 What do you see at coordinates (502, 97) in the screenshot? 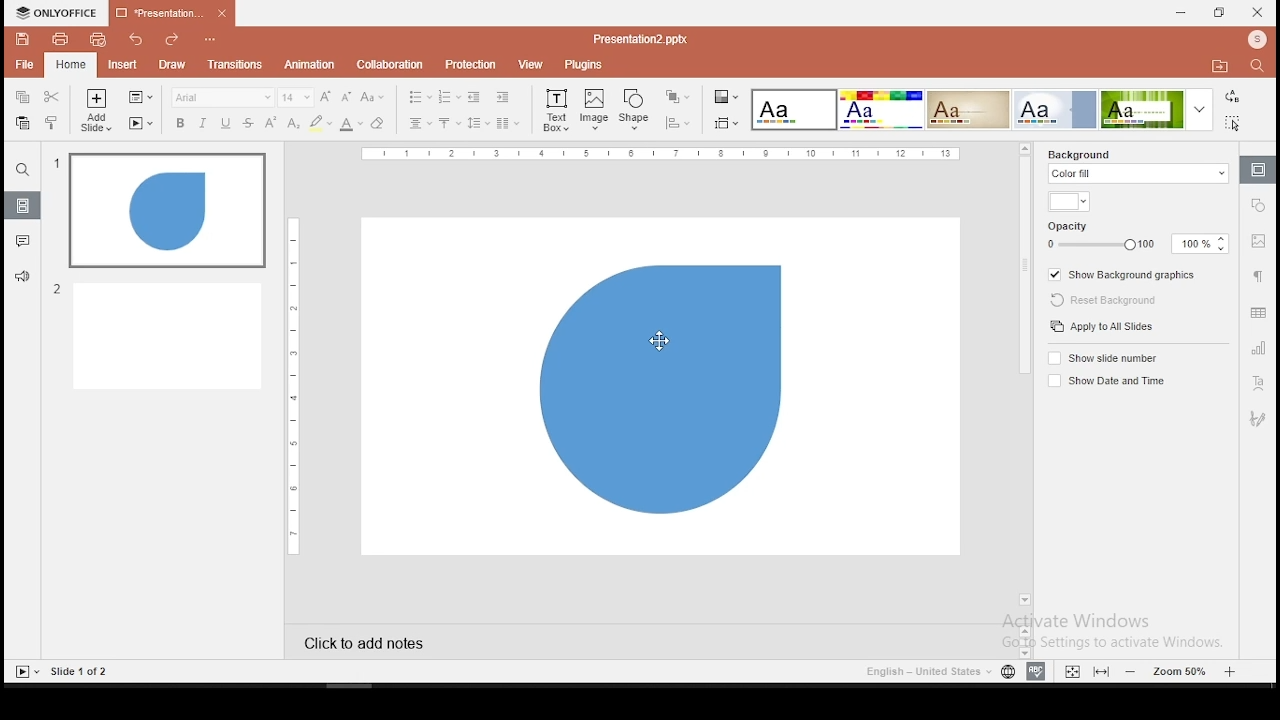
I see `increase indent` at bounding box center [502, 97].